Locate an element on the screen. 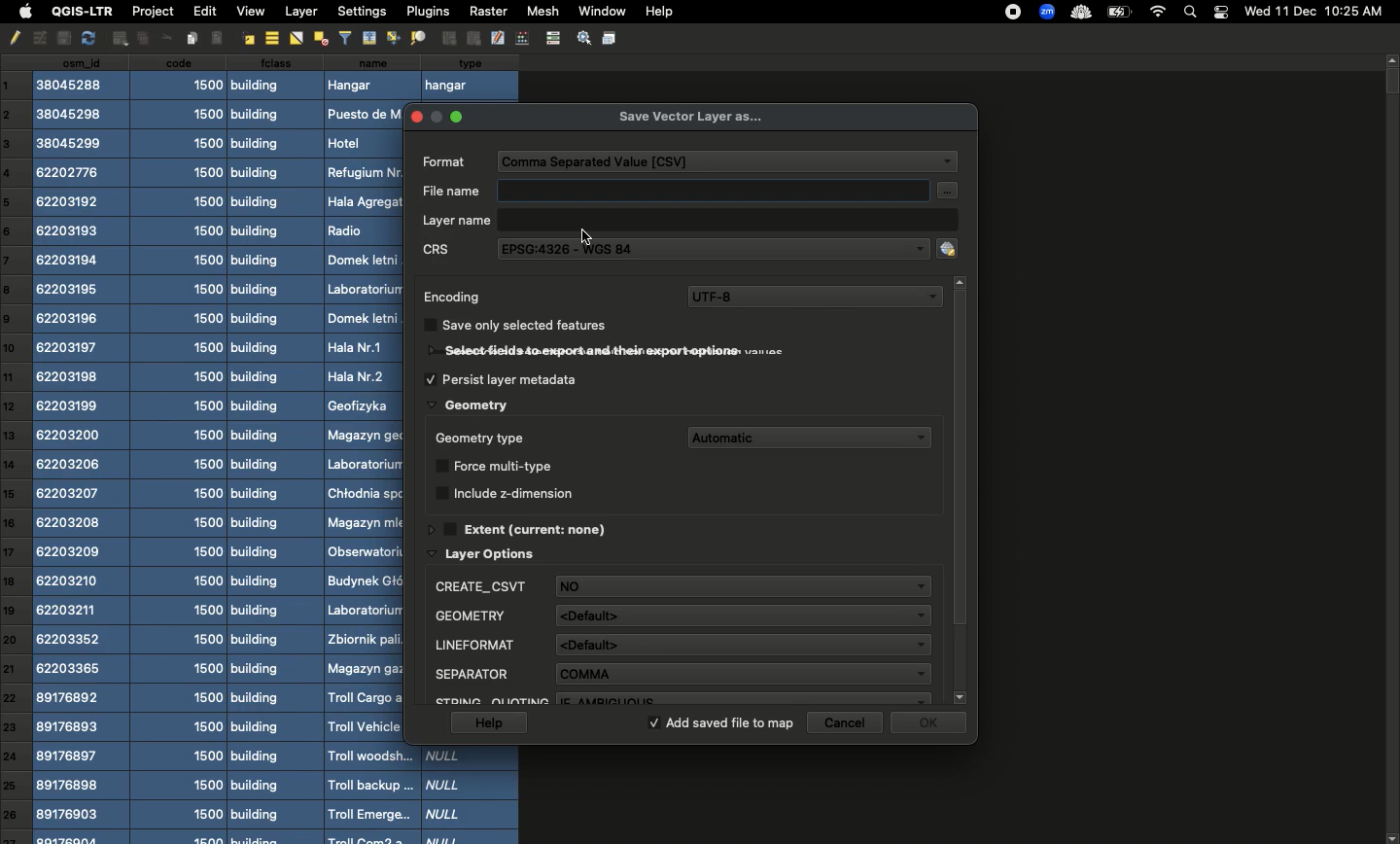  Edit Points is located at coordinates (522, 37).